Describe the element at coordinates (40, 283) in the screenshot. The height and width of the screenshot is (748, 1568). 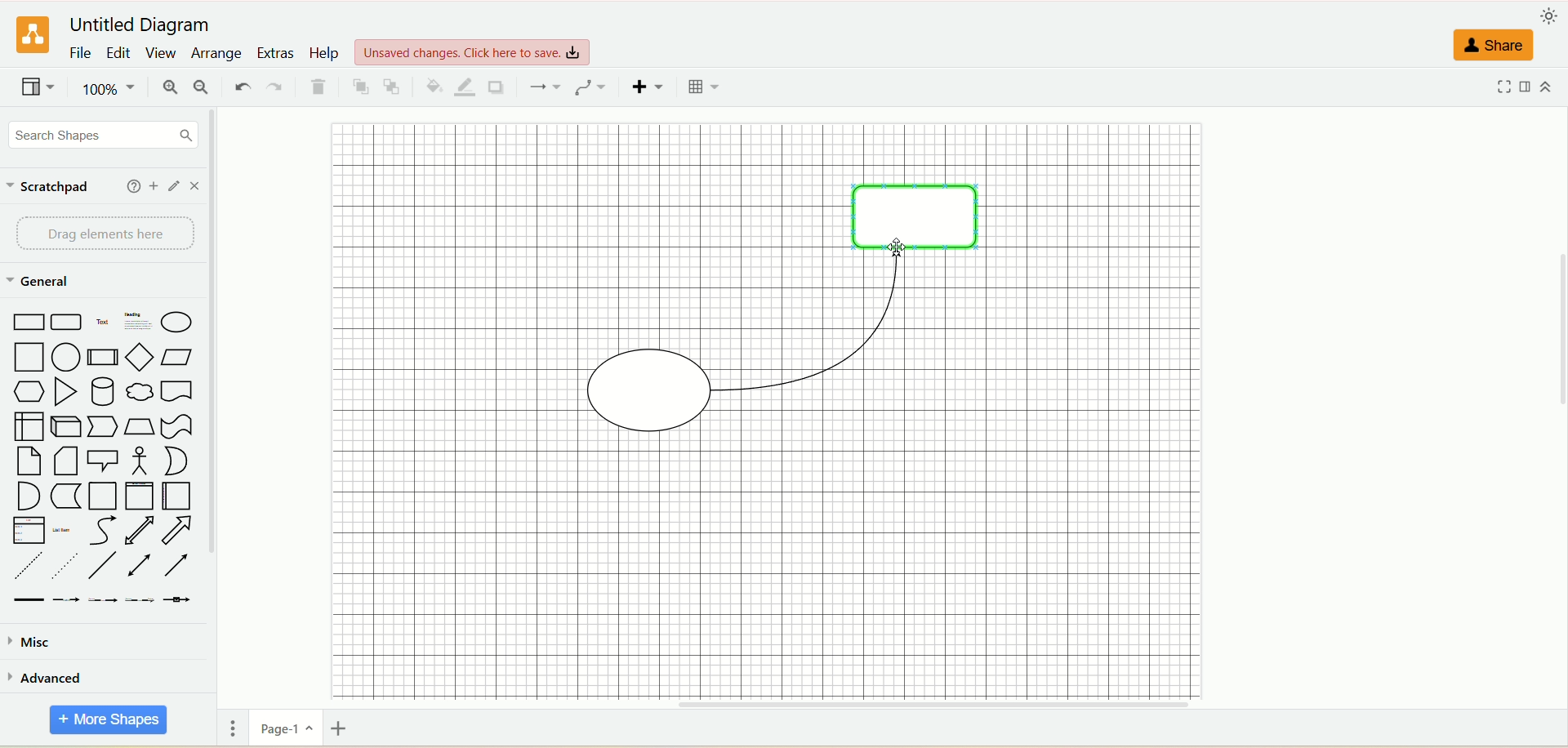
I see `general` at that location.